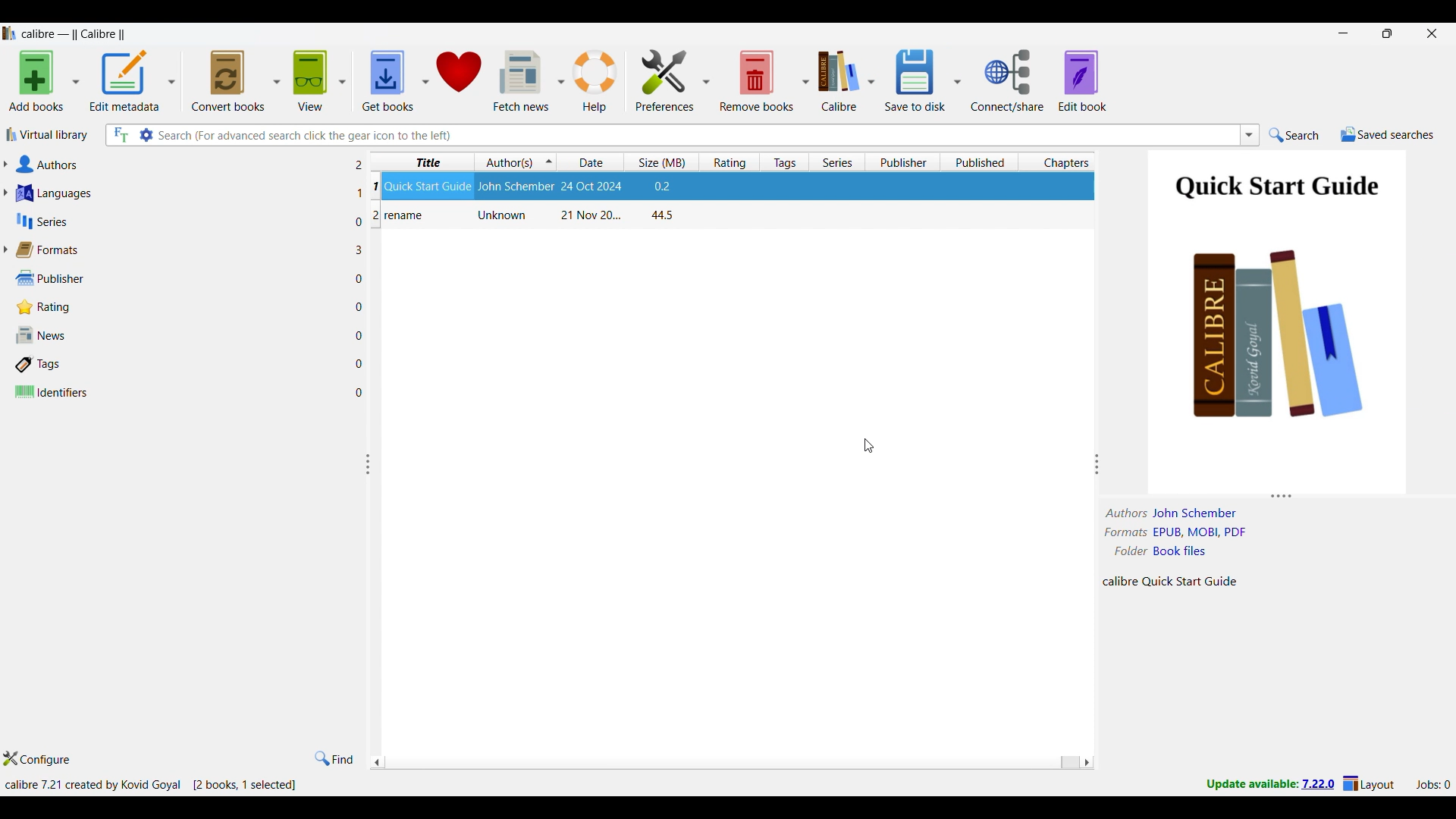  Describe the element at coordinates (922, 80) in the screenshot. I see `Save to disk and other save options` at that location.